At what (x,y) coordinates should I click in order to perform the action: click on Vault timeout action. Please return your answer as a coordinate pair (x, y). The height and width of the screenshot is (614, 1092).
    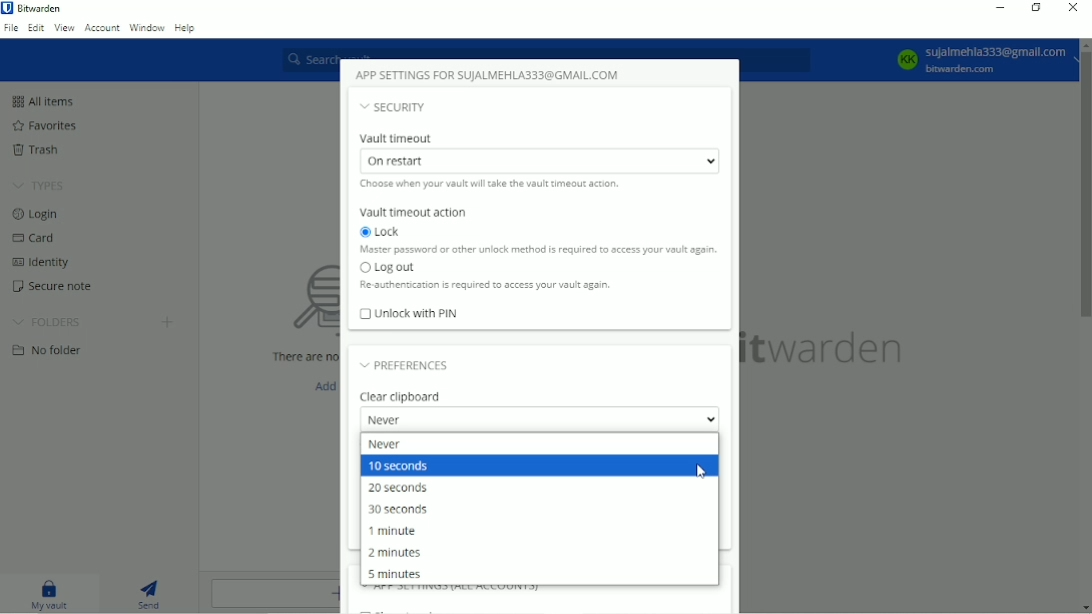
    Looking at the image, I should click on (416, 213).